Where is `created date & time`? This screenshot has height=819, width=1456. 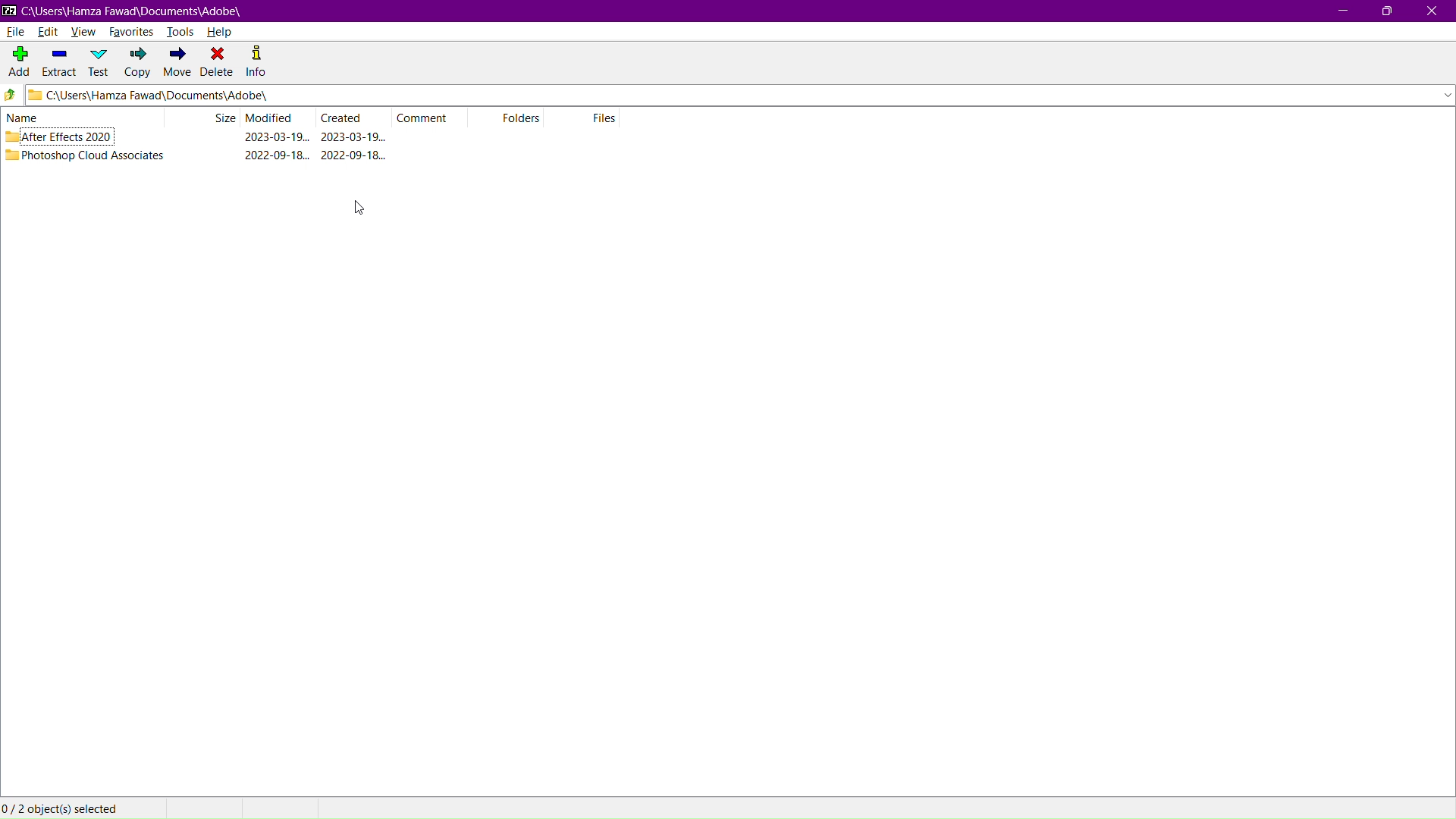
created date & time is located at coordinates (353, 136).